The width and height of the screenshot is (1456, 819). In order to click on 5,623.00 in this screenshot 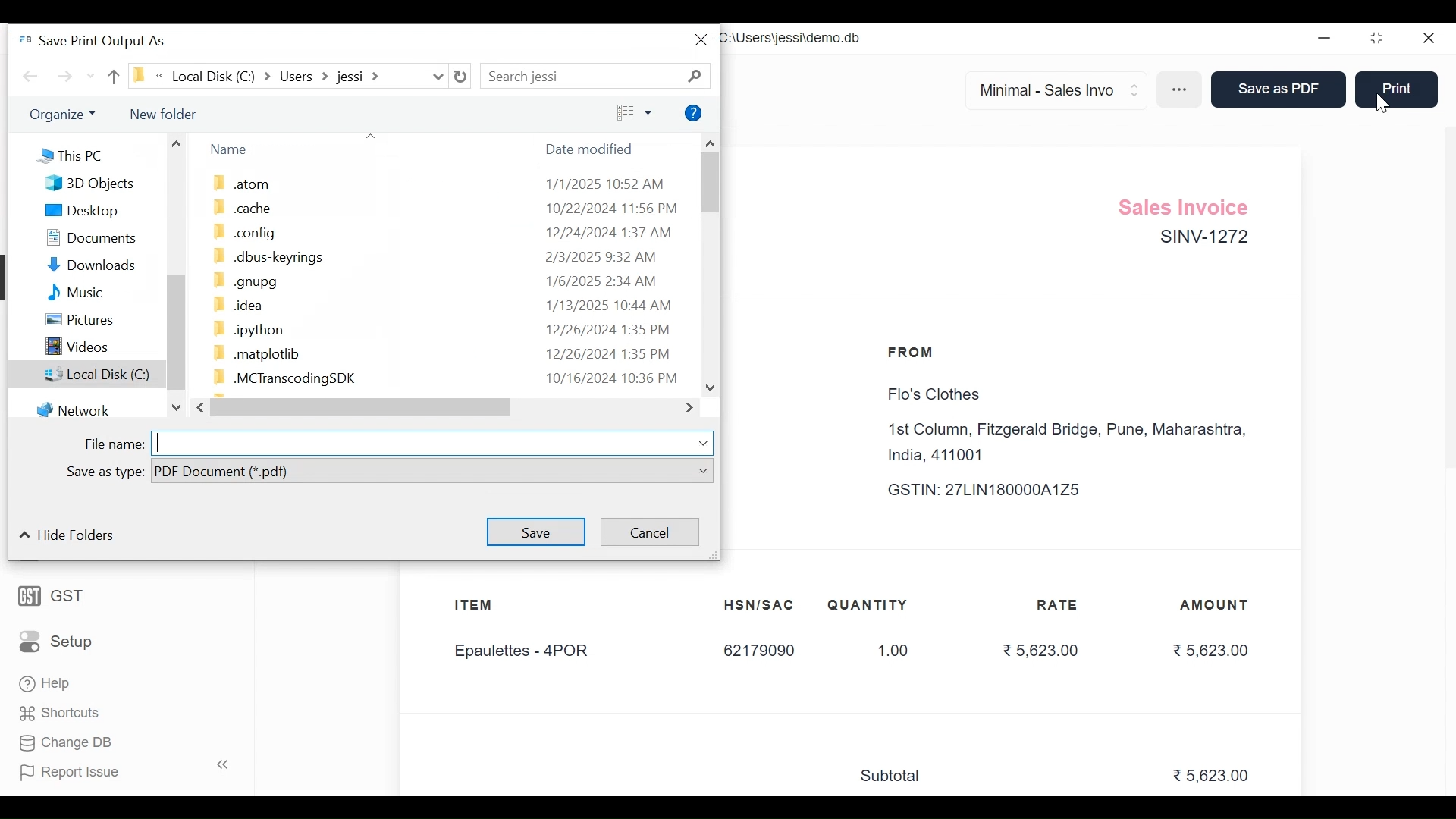, I will do `click(1210, 650)`.